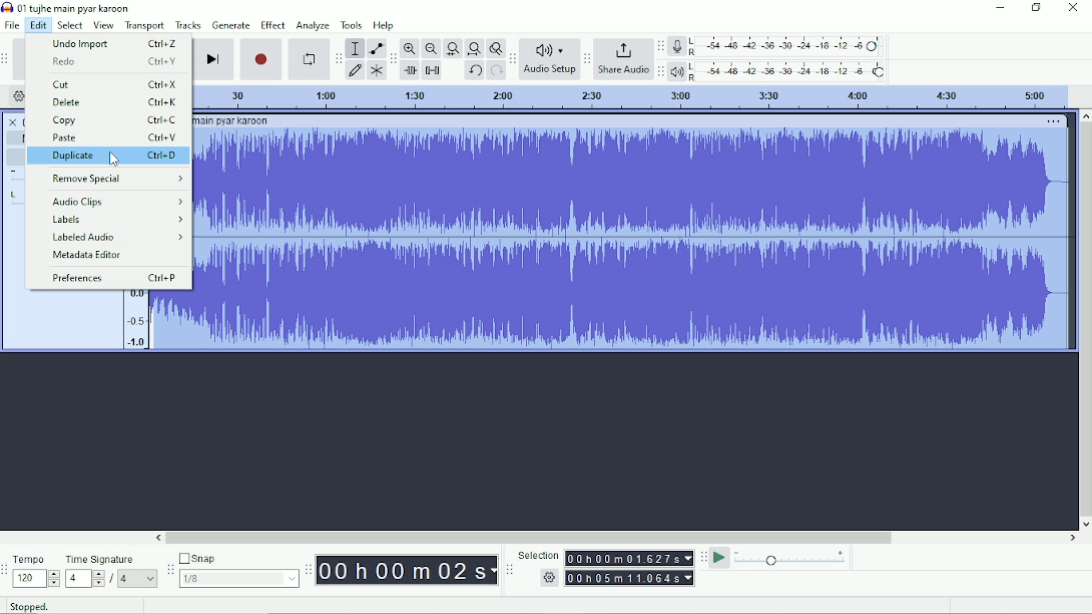 This screenshot has width=1092, height=614. Describe the element at coordinates (117, 179) in the screenshot. I see `Remove Special` at that location.